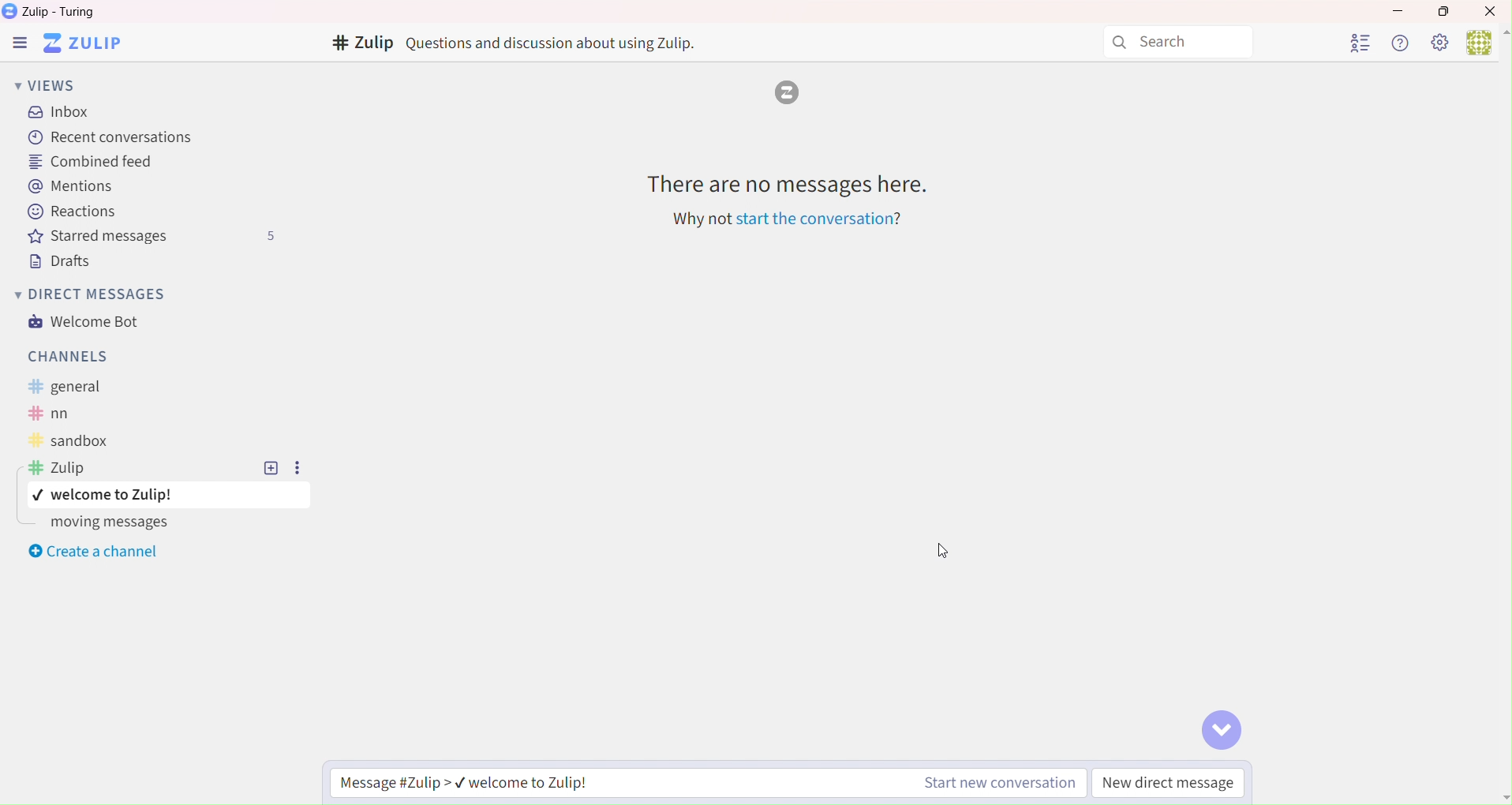 The image size is (1512, 805). I want to click on Combined Feed, so click(88, 162).